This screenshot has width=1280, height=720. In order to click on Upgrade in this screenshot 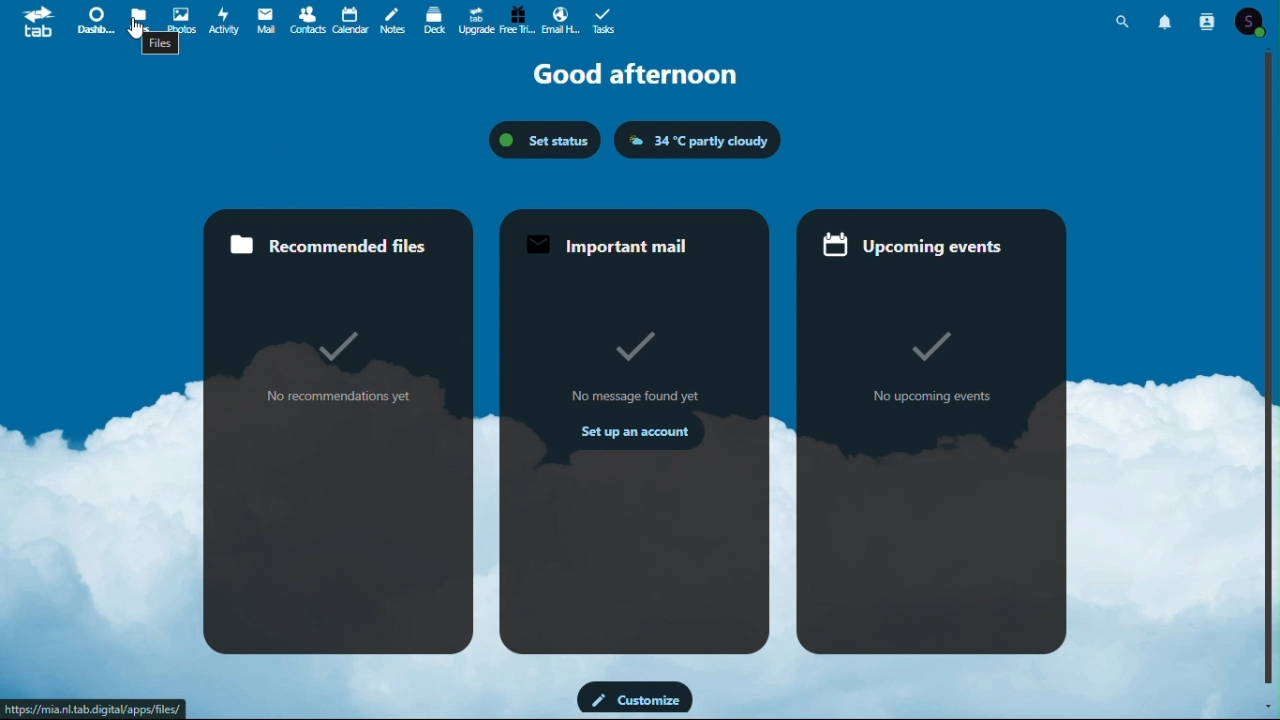, I will do `click(478, 20)`.